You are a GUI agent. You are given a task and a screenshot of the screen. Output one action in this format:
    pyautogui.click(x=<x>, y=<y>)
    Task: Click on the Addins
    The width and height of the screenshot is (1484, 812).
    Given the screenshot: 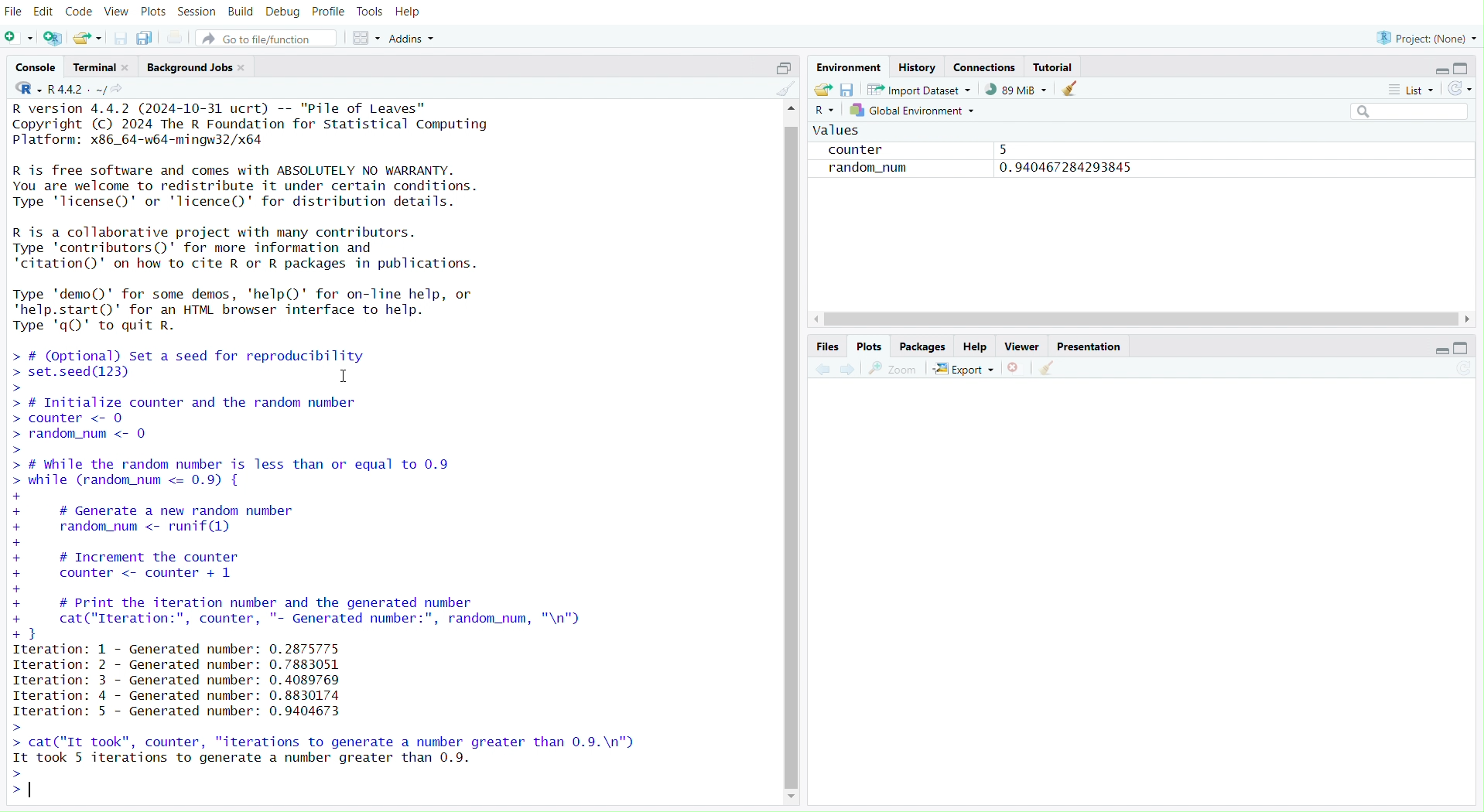 What is the action you would take?
    pyautogui.click(x=412, y=36)
    